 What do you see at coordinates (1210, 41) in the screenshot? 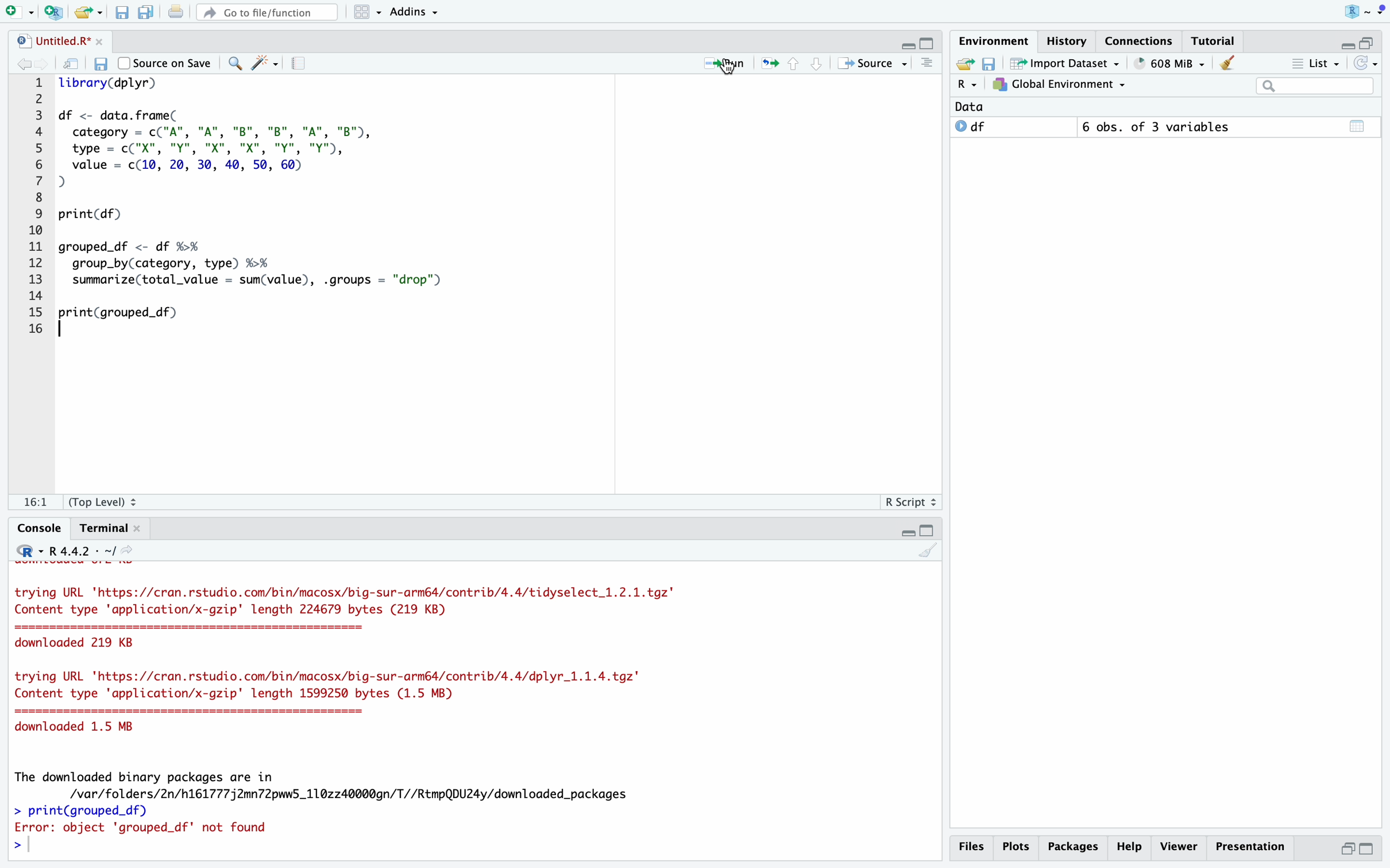
I see `Tutorial` at bounding box center [1210, 41].